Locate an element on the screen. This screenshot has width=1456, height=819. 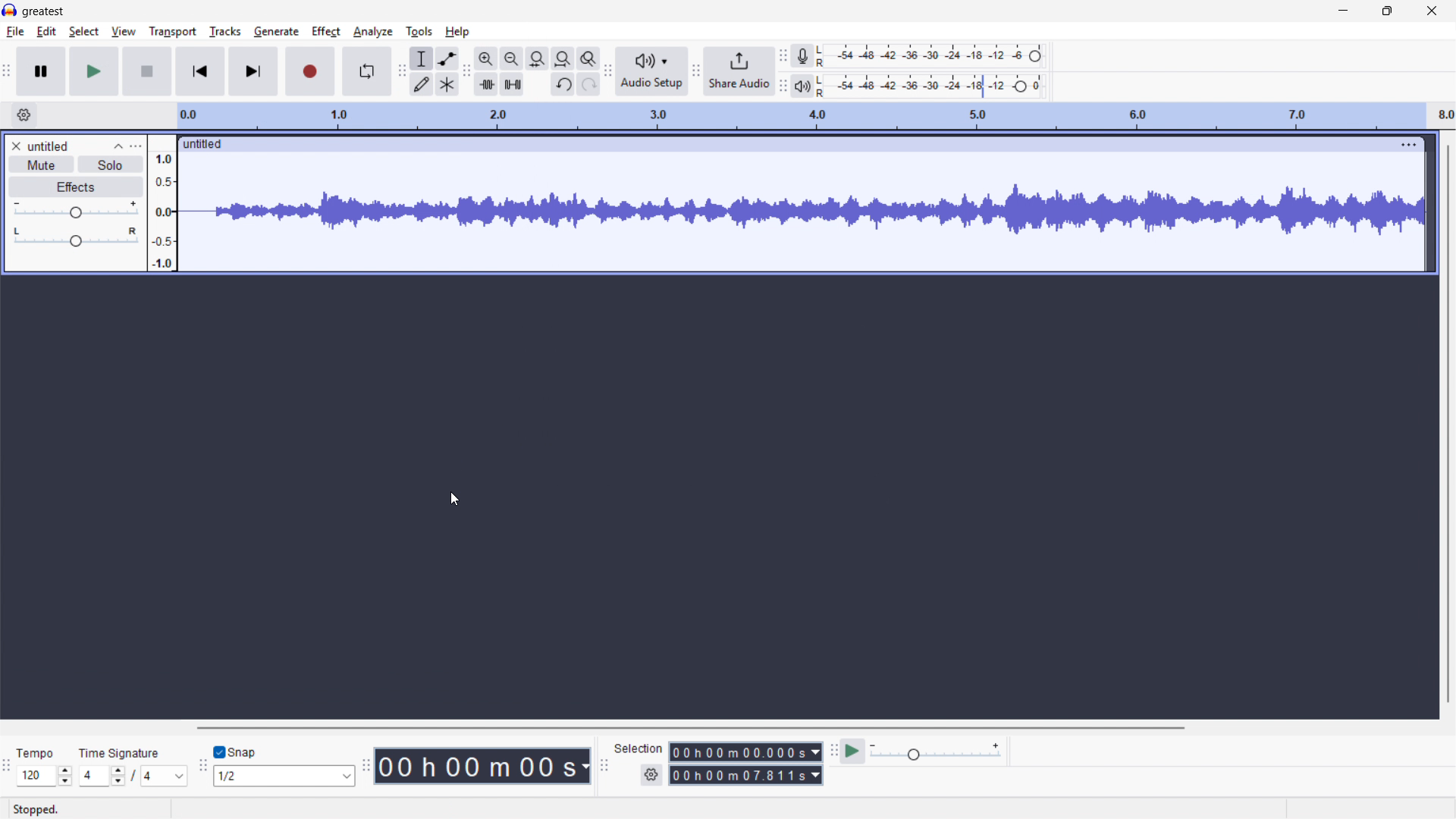
minimise  is located at coordinates (1341, 12).